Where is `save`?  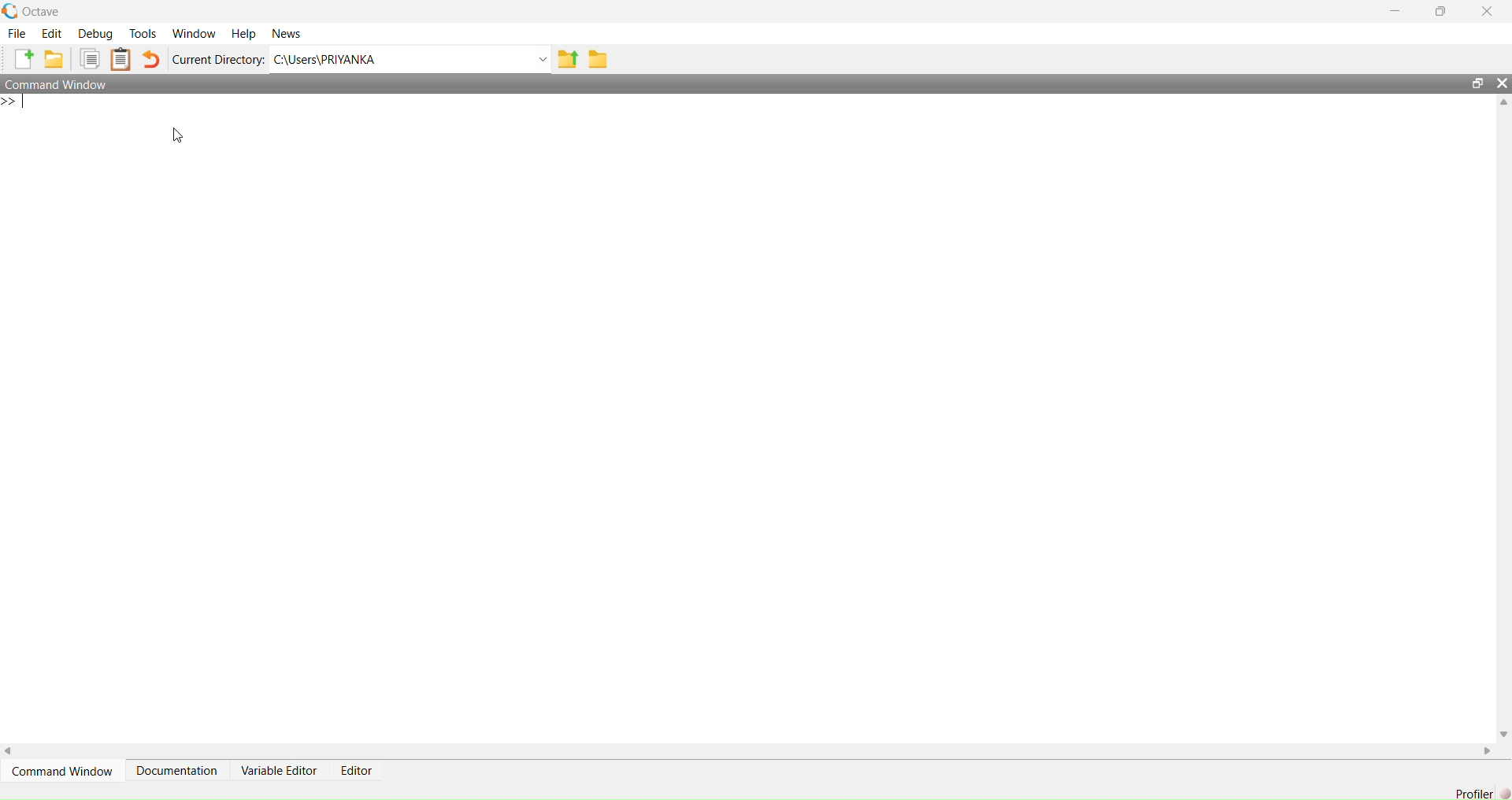 save is located at coordinates (600, 59).